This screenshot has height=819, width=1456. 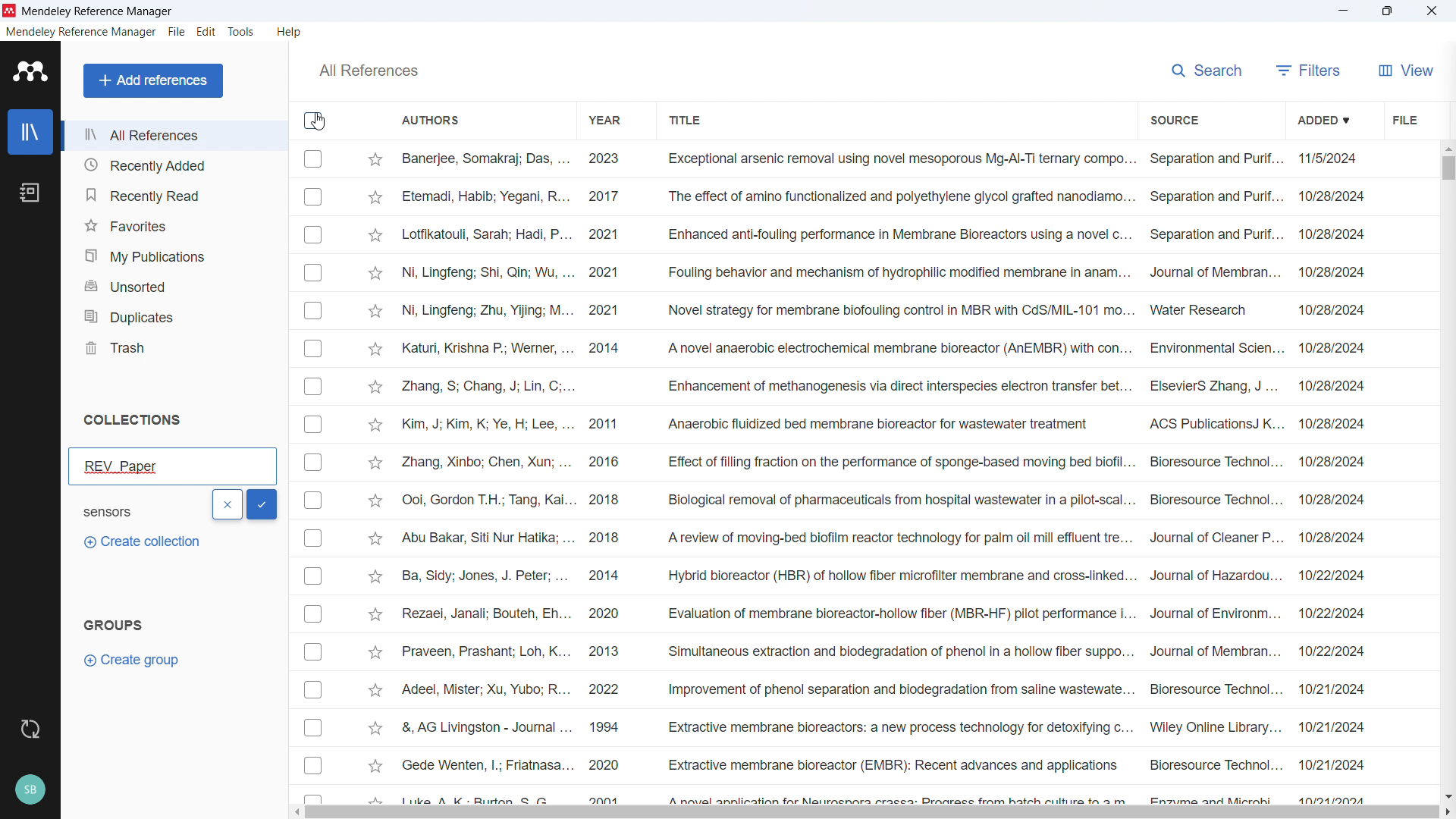 I want to click on All references , so click(x=174, y=136).